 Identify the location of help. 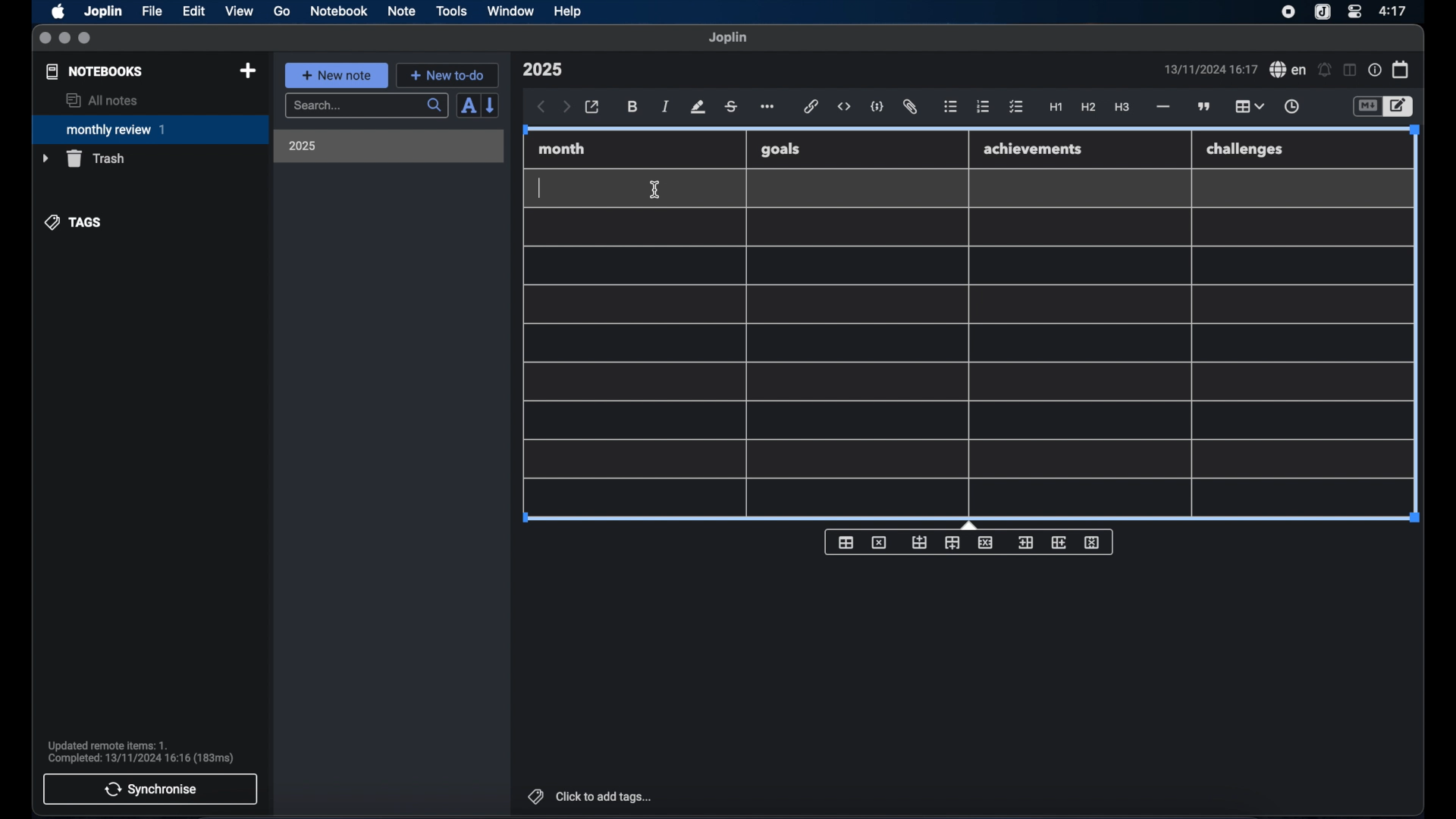
(569, 11).